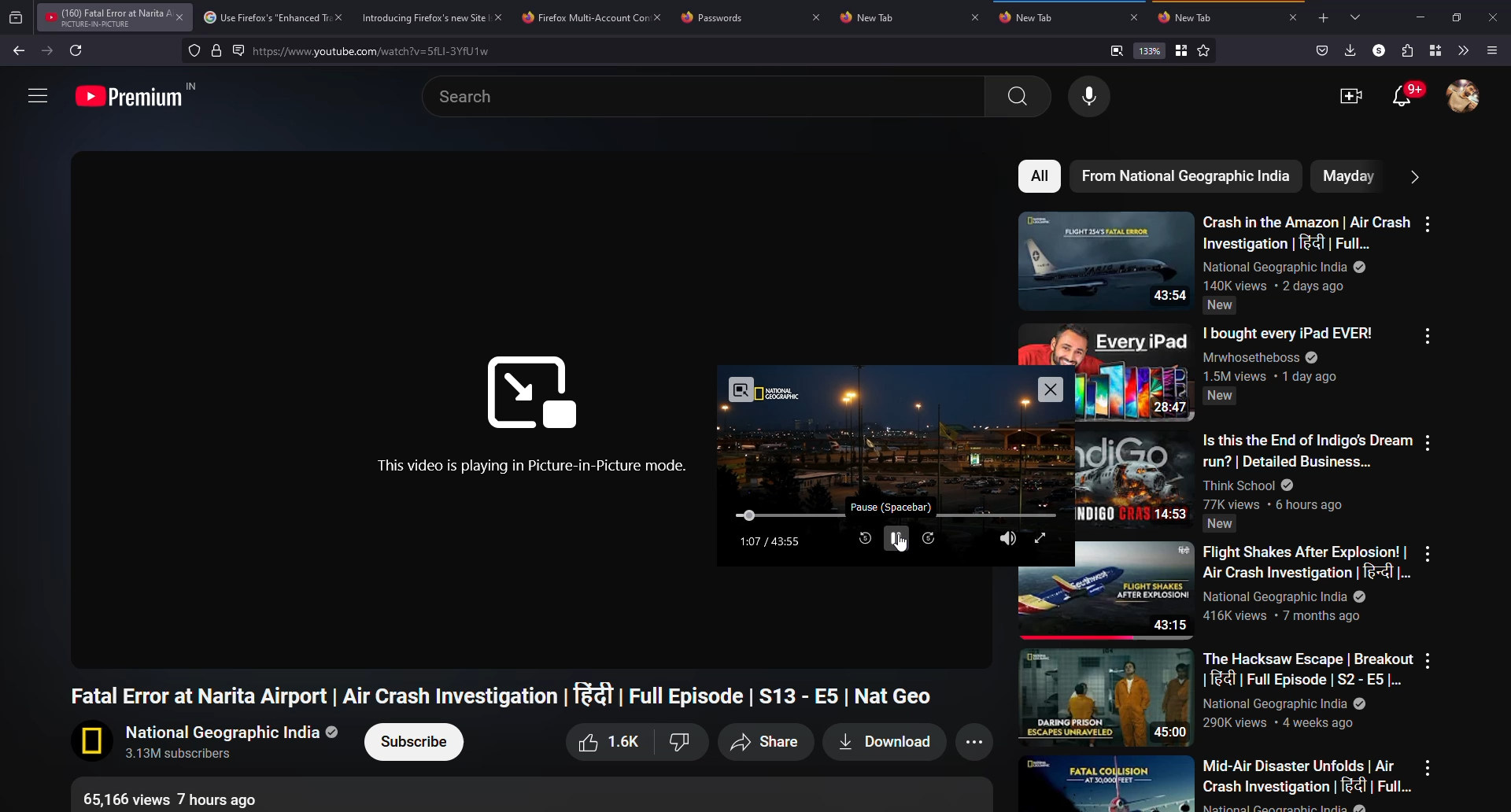  What do you see at coordinates (337, 17) in the screenshot?
I see `close` at bounding box center [337, 17].